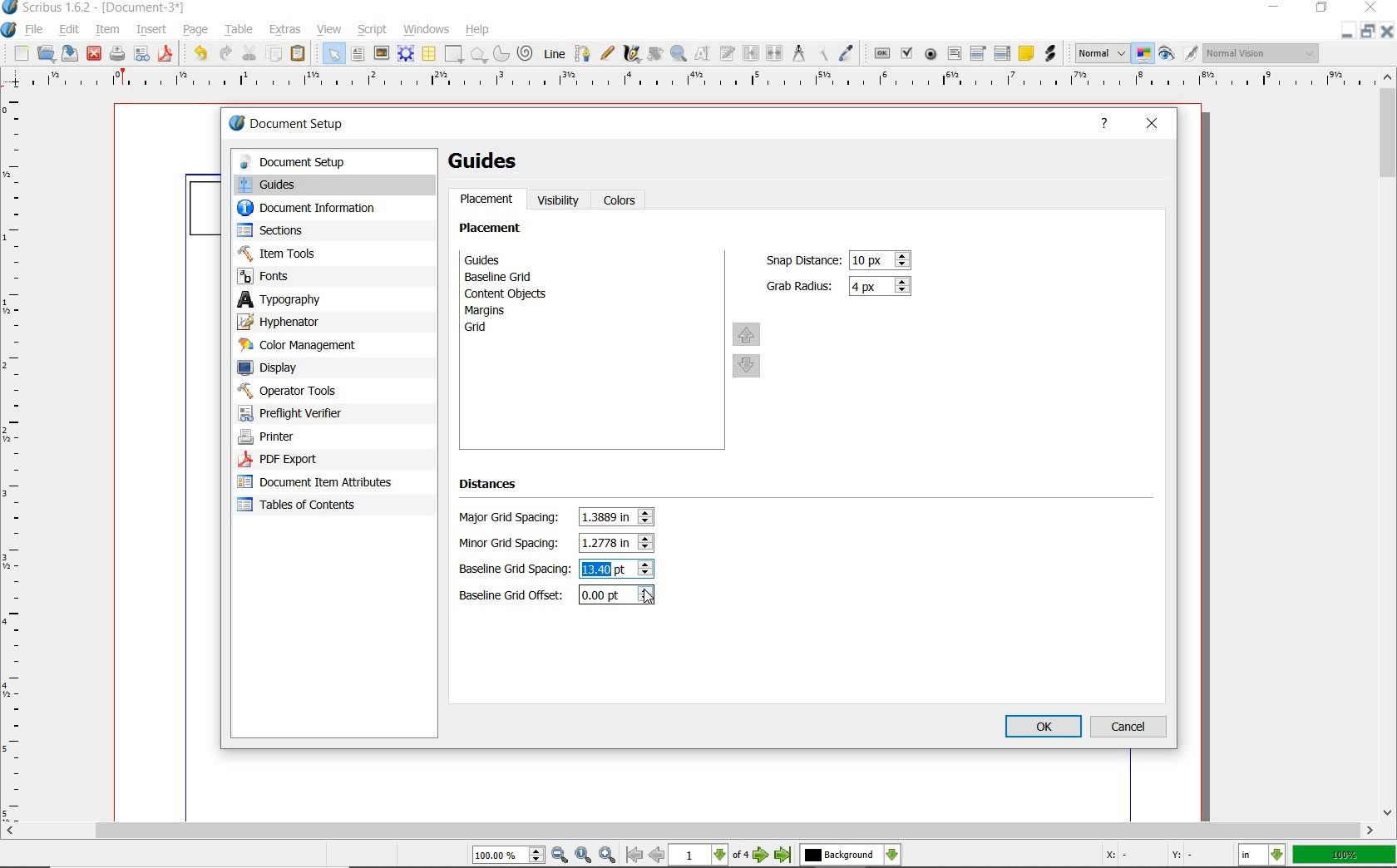 This screenshot has width=1397, height=868. I want to click on go to previous page, so click(658, 856).